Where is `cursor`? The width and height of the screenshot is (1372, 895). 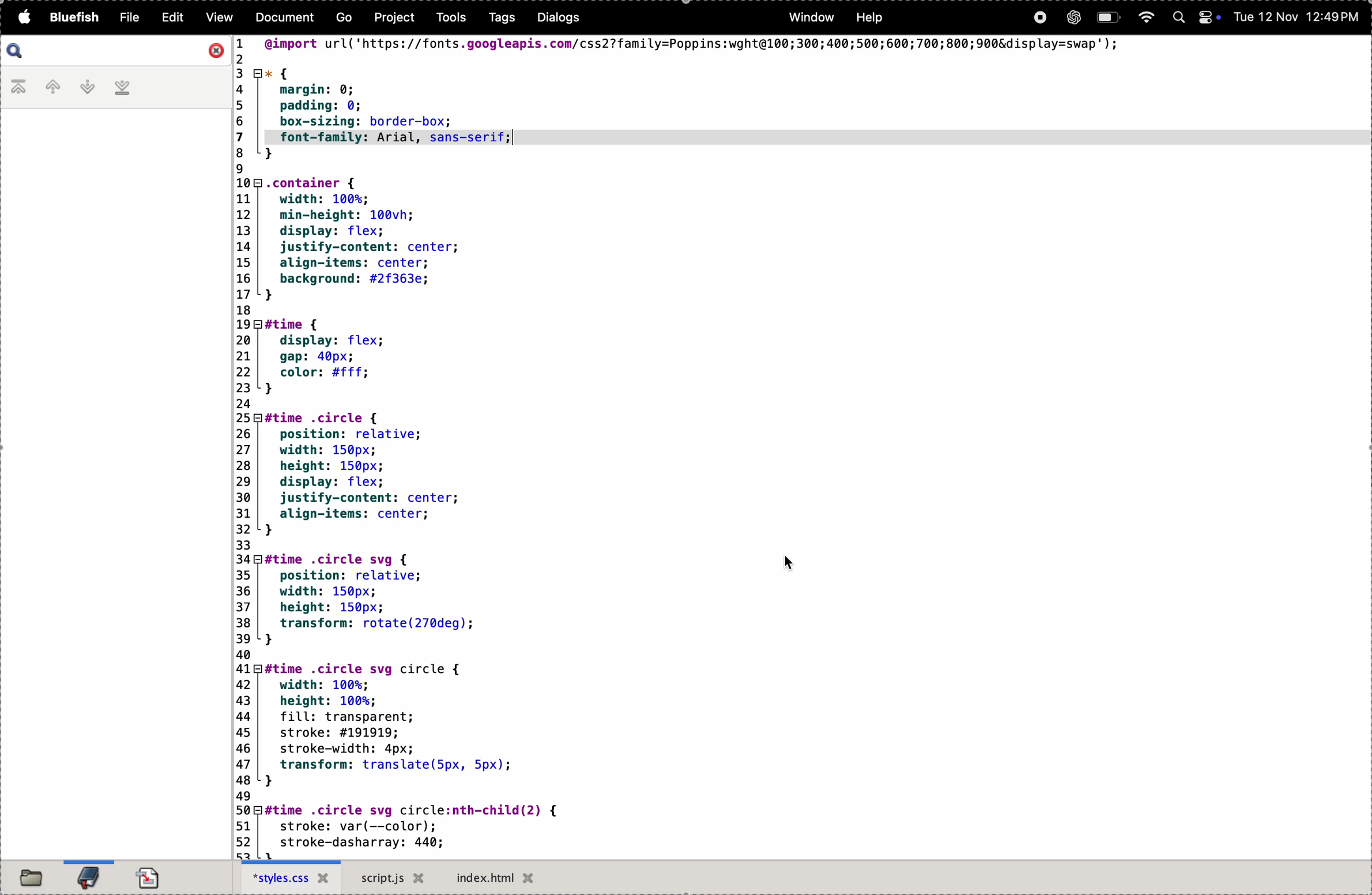 cursor is located at coordinates (789, 563).